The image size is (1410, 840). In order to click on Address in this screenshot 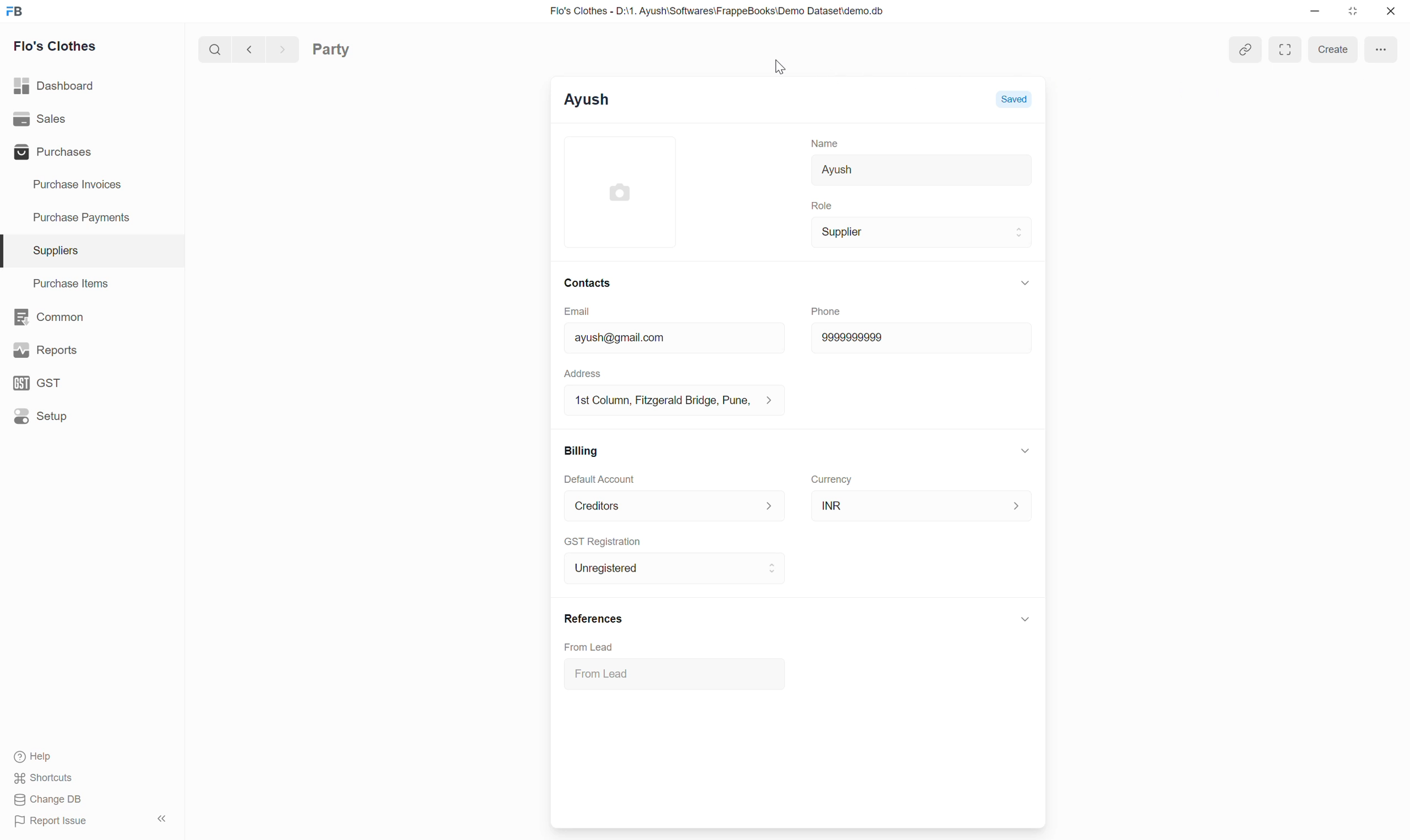, I will do `click(583, 373)`.